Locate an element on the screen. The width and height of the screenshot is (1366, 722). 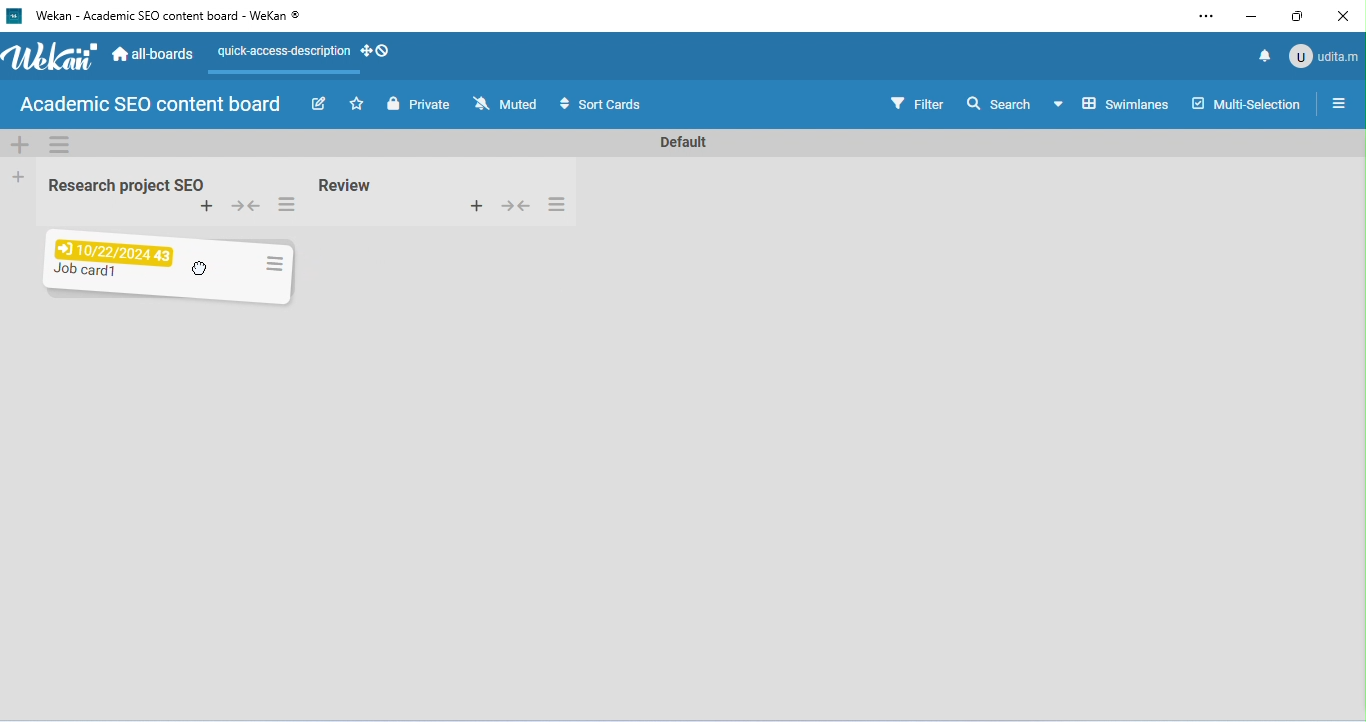
multi-selection is located at coordinates (1245, 103).